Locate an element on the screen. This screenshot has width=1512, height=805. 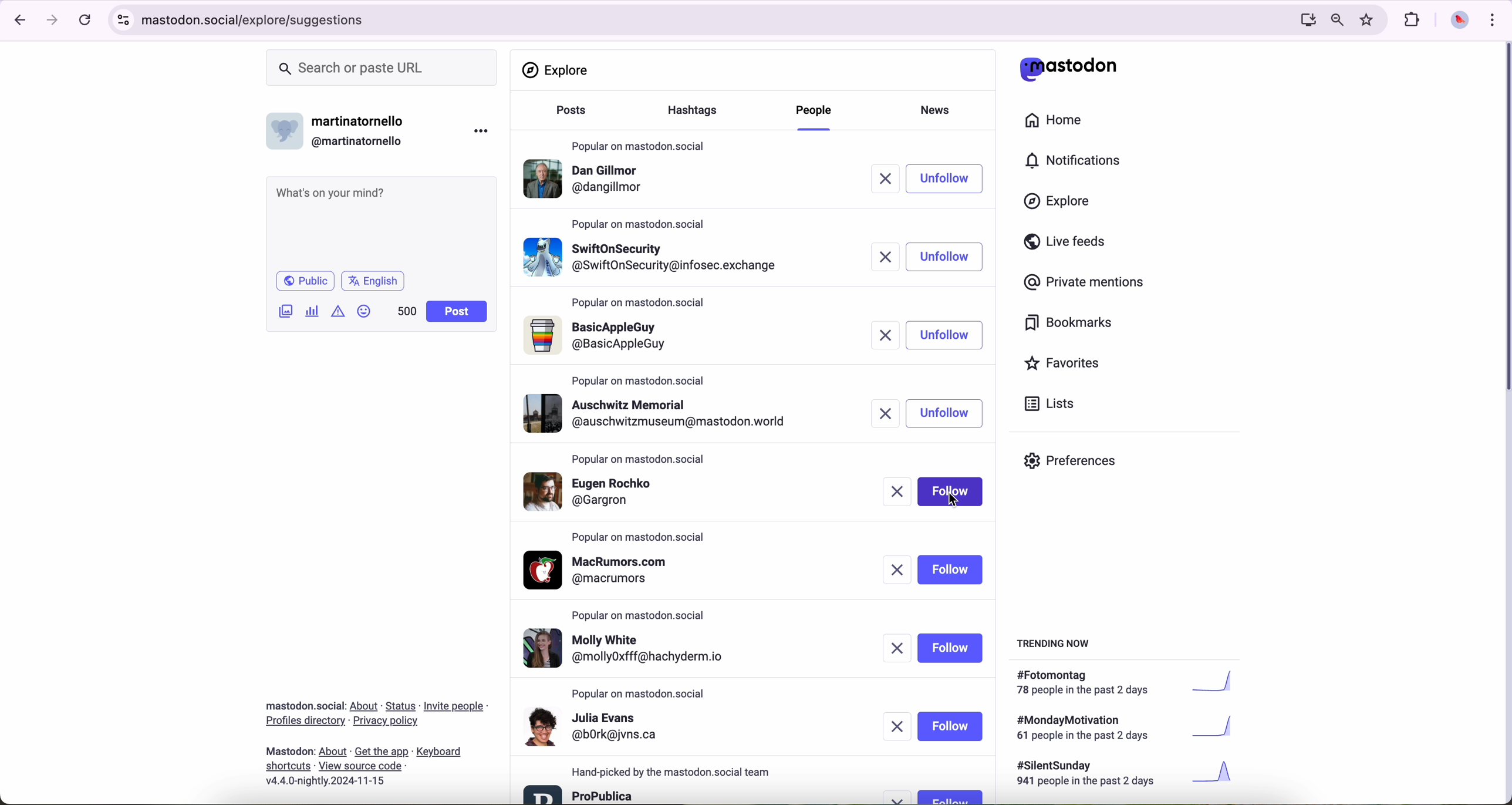
follow is located at coordinates (950, 257).